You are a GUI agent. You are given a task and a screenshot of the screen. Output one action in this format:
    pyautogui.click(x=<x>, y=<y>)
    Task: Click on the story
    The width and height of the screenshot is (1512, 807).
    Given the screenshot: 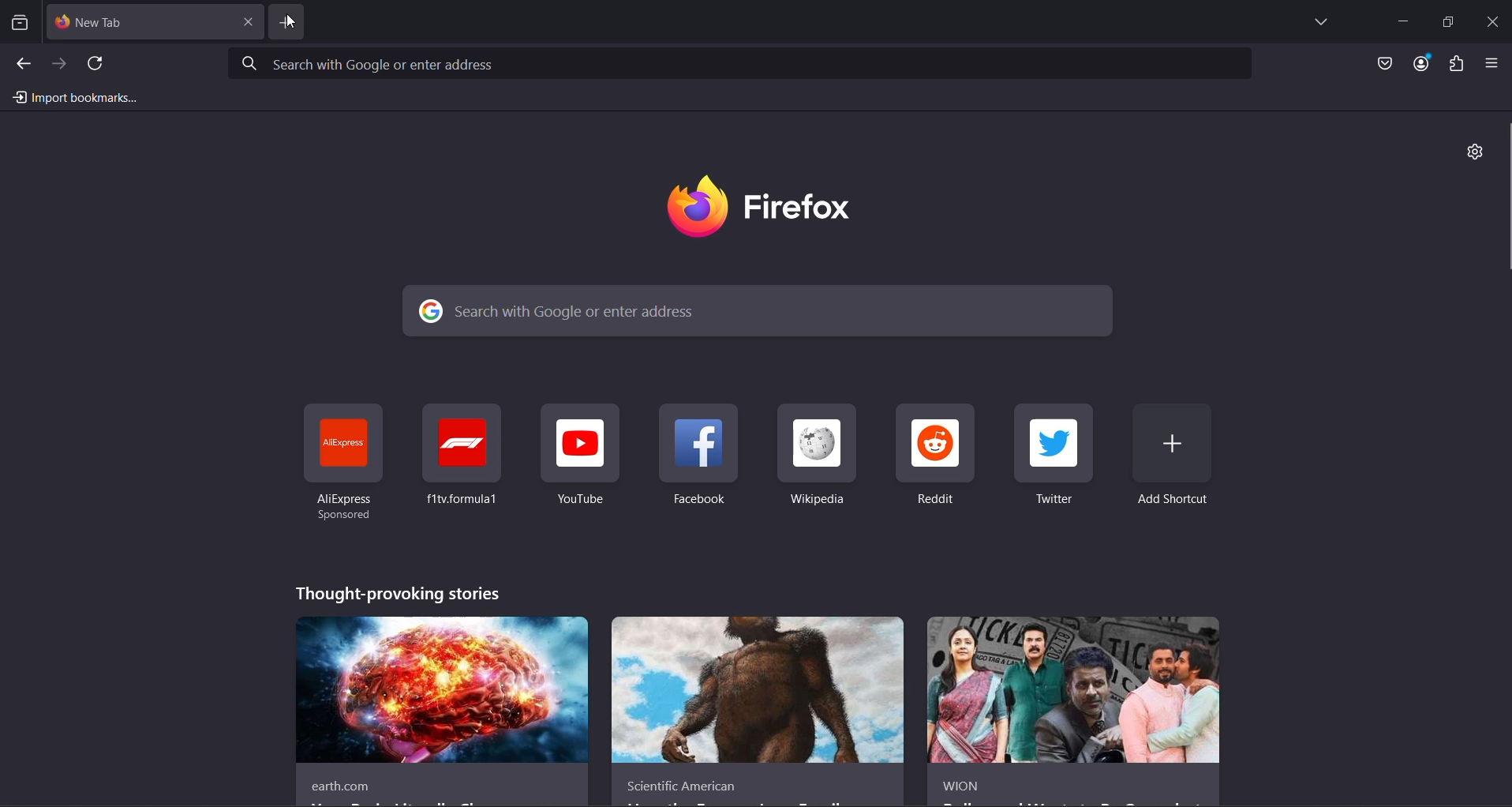 What is the action you would take?
    pyautogui.click(x=442, y=712)
    